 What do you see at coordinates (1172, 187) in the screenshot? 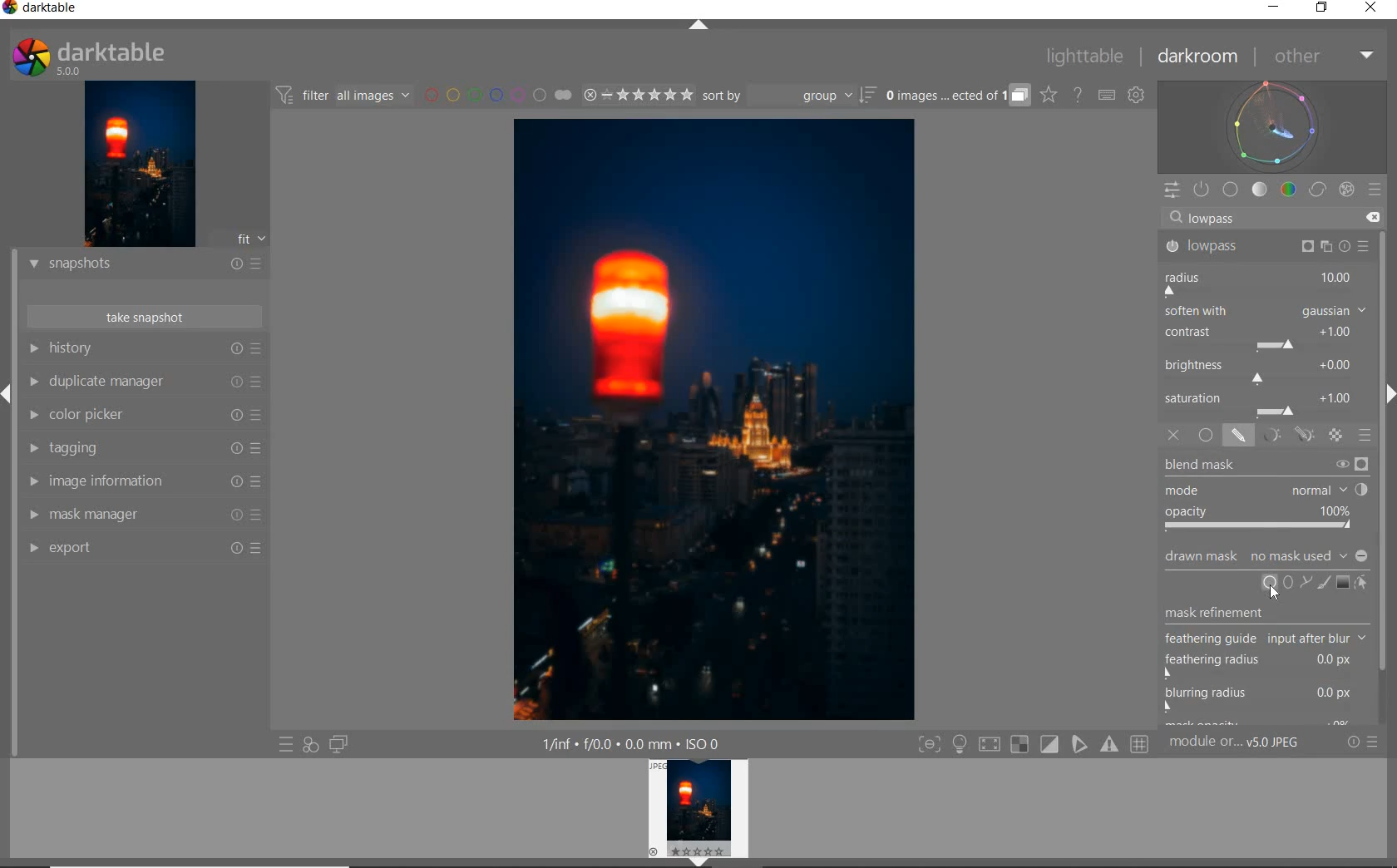
I see `QUICK ACCESS PANEL` at bounding box center [1172, 187].